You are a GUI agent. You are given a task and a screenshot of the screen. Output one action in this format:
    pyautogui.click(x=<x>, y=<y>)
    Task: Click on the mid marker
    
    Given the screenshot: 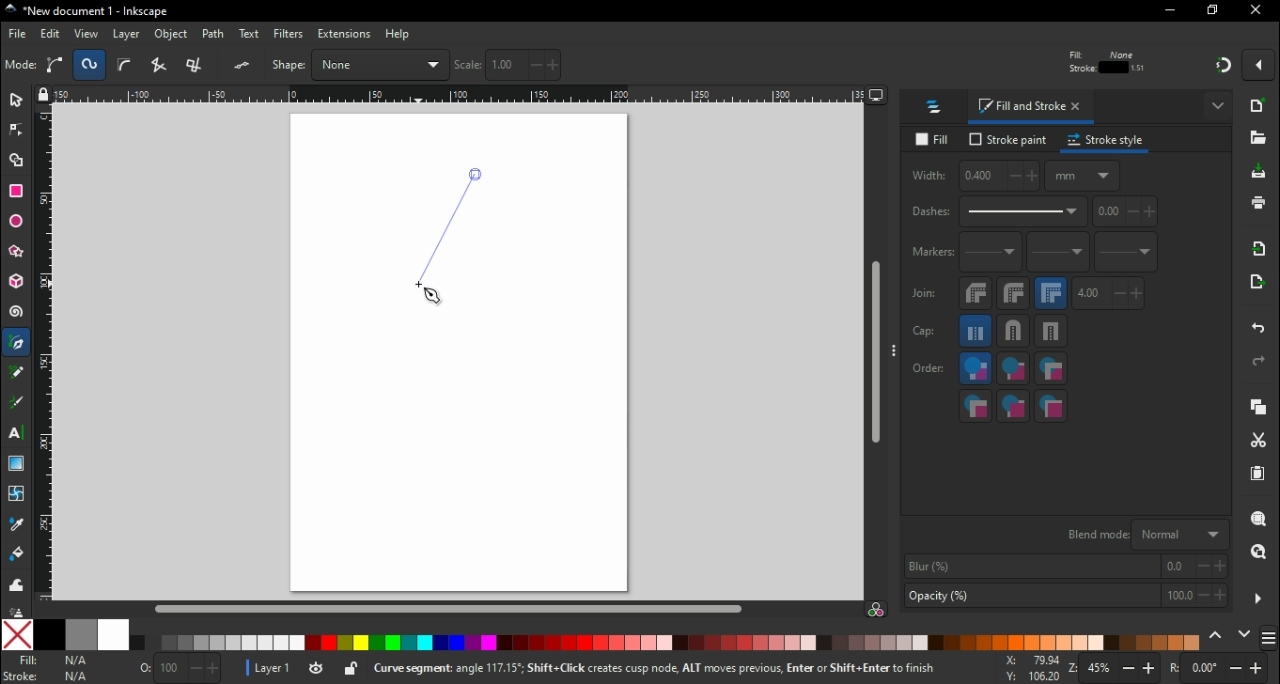 What is the action you would take?
    pyautogui.click(x=1061, y=256)
    